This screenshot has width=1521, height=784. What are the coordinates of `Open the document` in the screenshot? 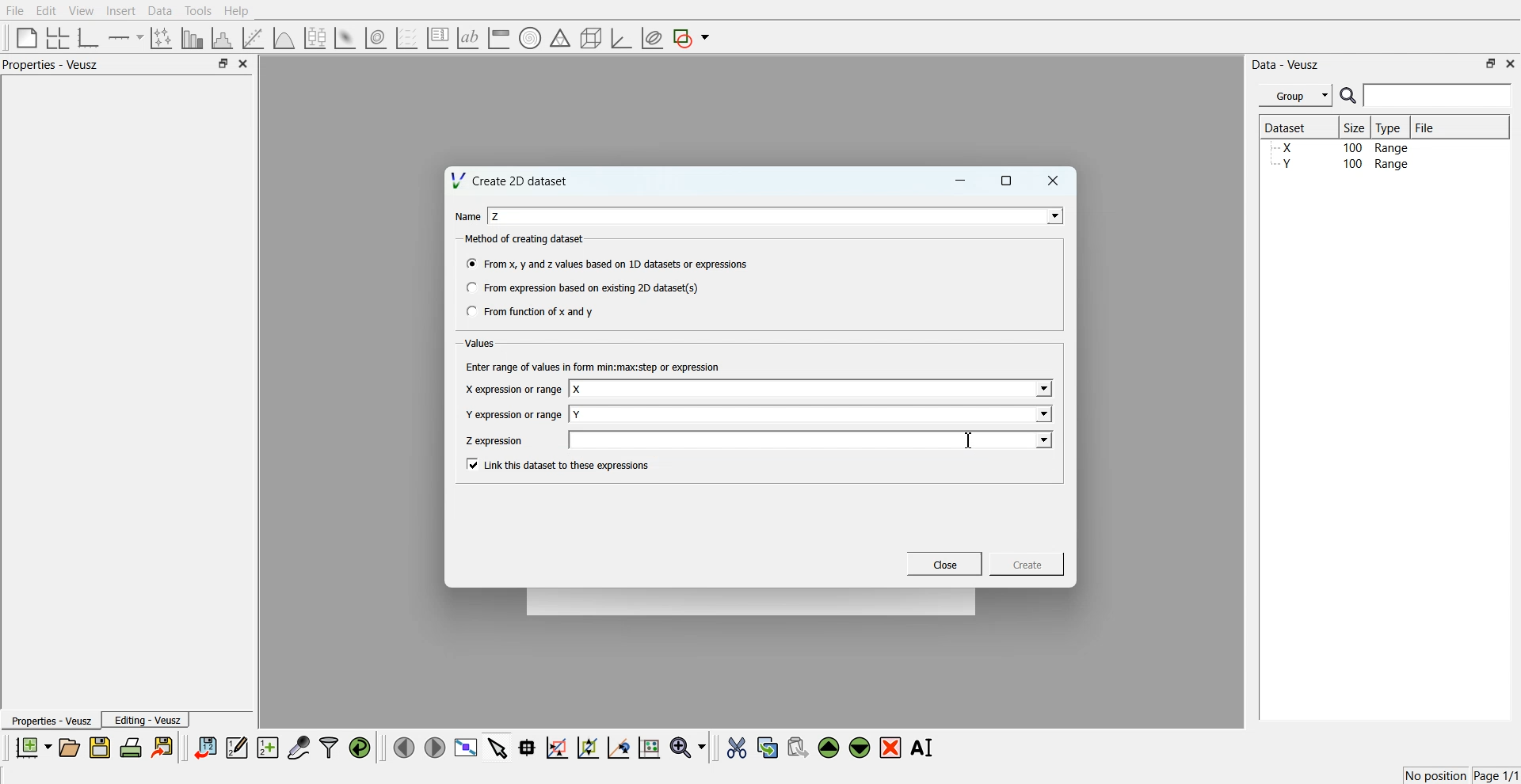 It's located at (68, 748).